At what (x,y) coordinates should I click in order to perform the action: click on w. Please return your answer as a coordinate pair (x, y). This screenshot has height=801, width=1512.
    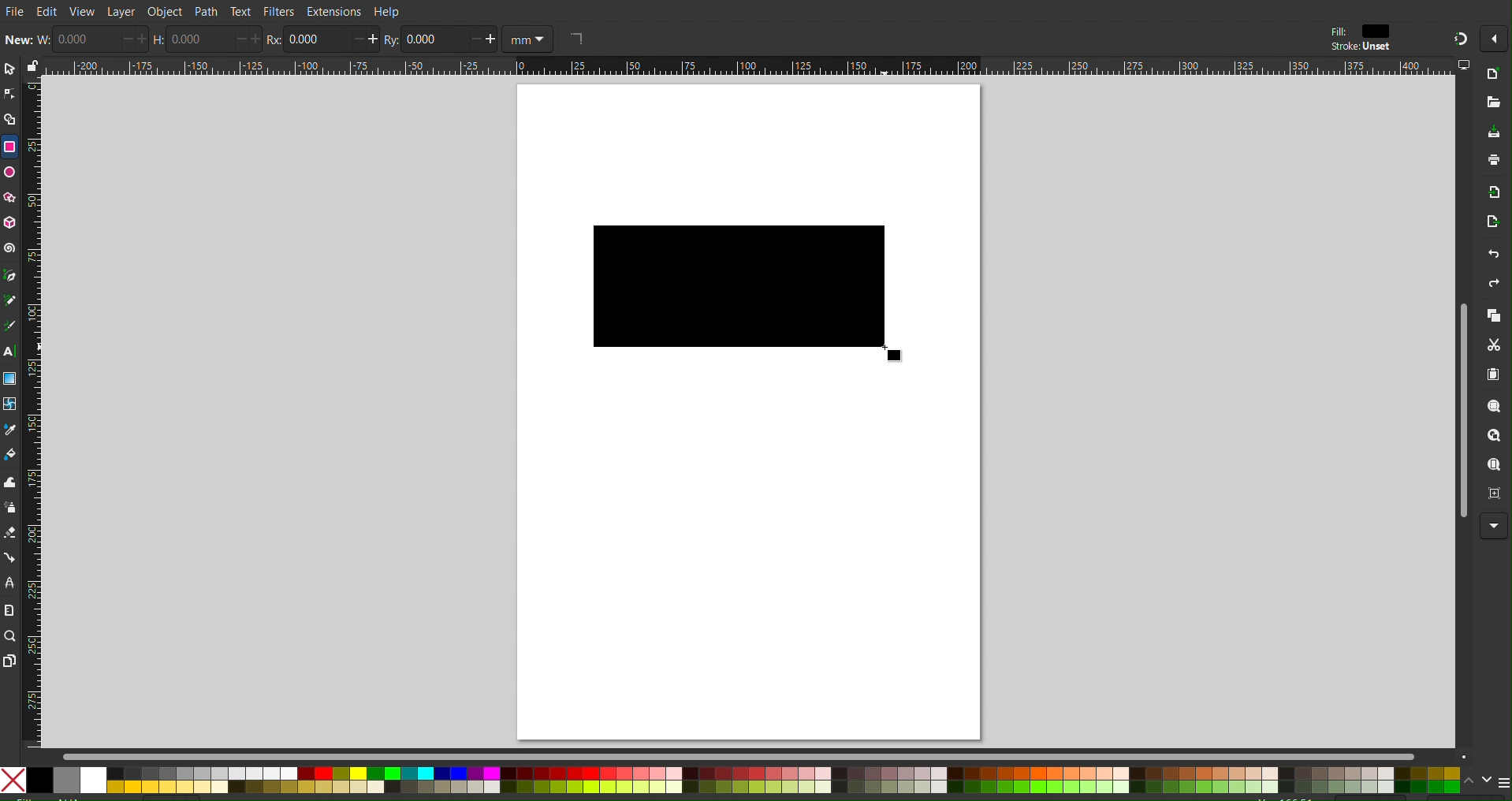
    Looking at the image, I should click on (44, 39).